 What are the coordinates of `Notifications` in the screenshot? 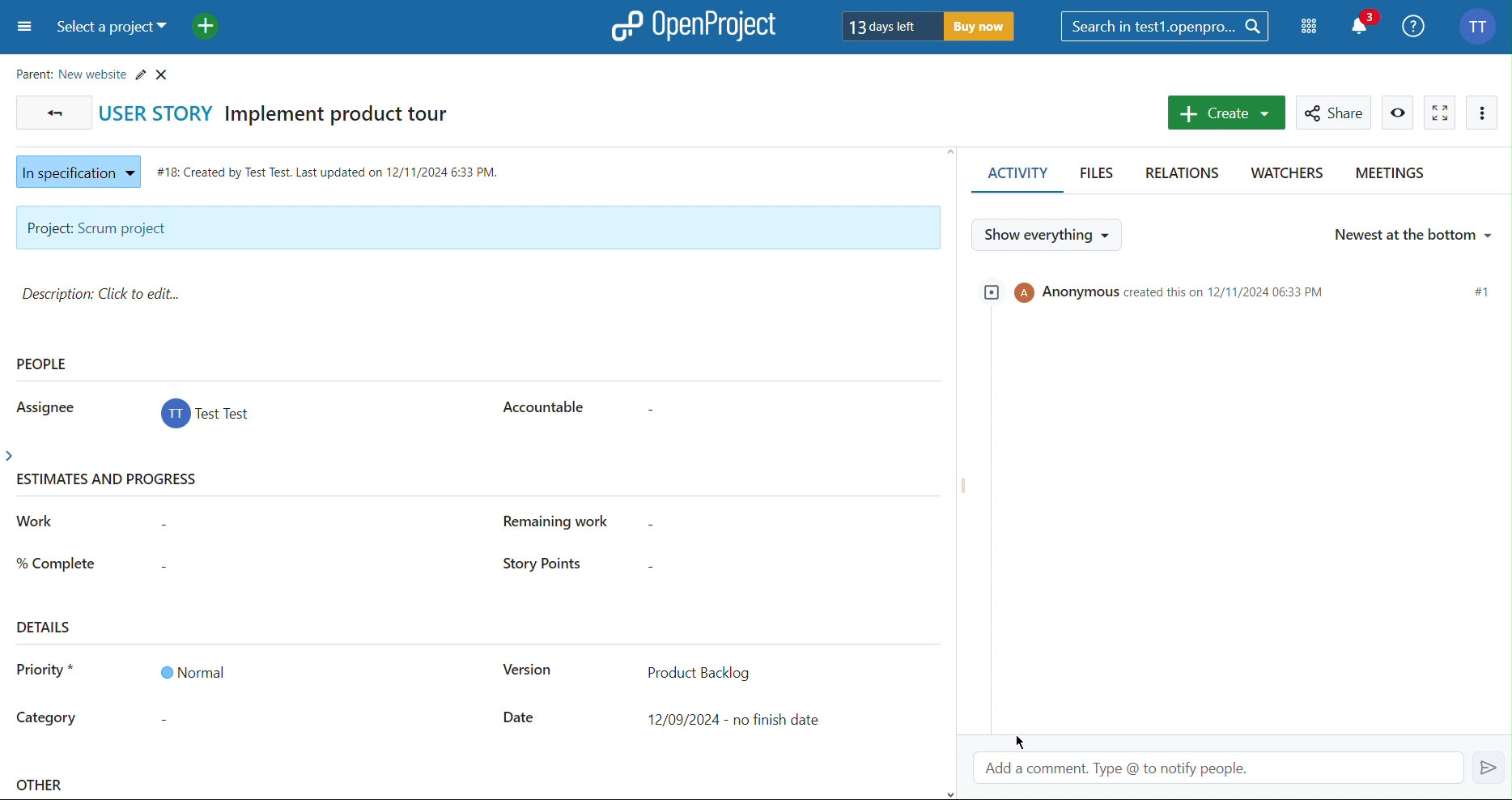 It's located at (1365, 24).